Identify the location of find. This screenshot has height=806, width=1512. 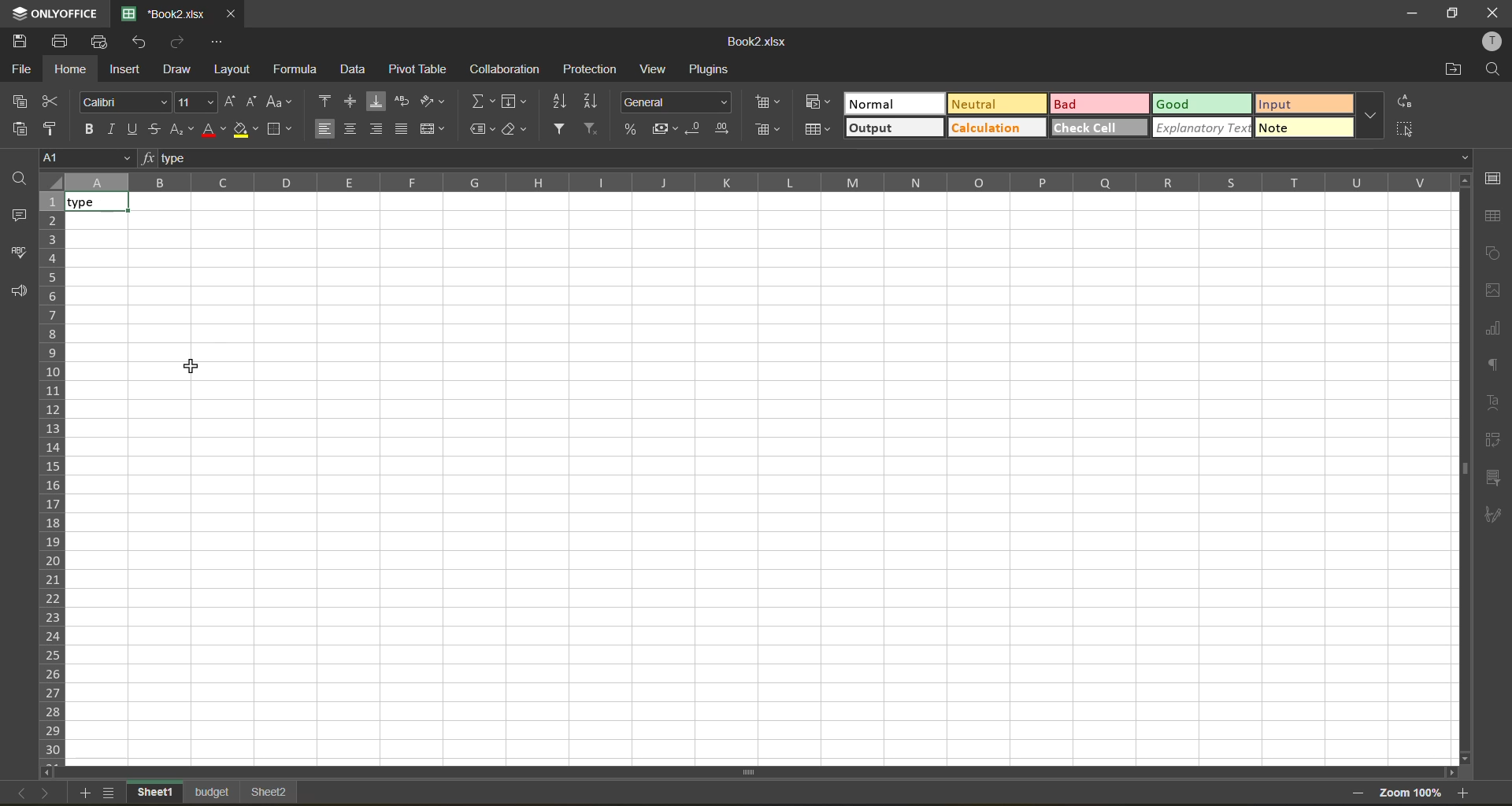
(1493, 68).